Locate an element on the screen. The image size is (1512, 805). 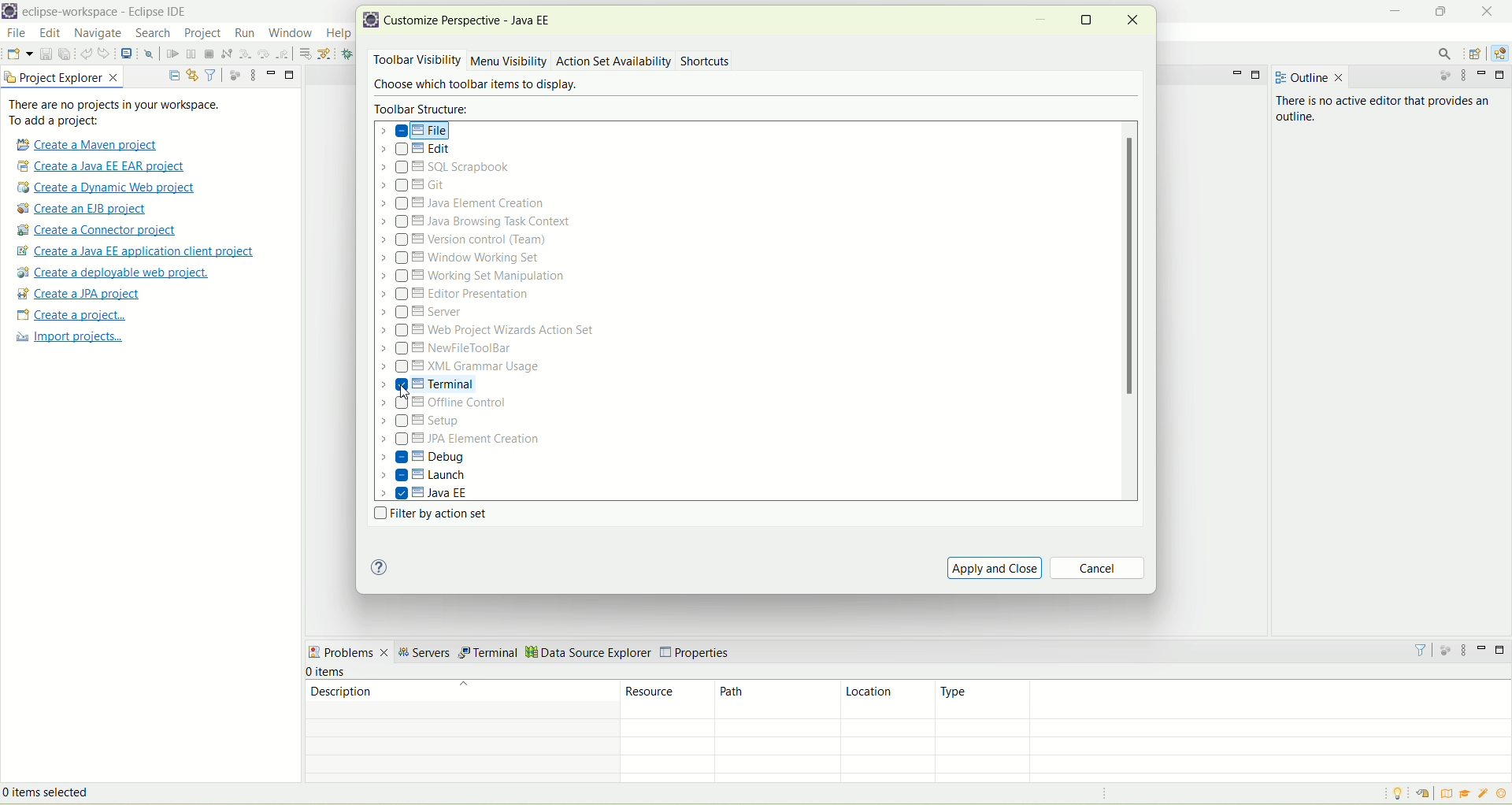
There is no active editor that provides an outline. is located at coordinates (1358, 121).